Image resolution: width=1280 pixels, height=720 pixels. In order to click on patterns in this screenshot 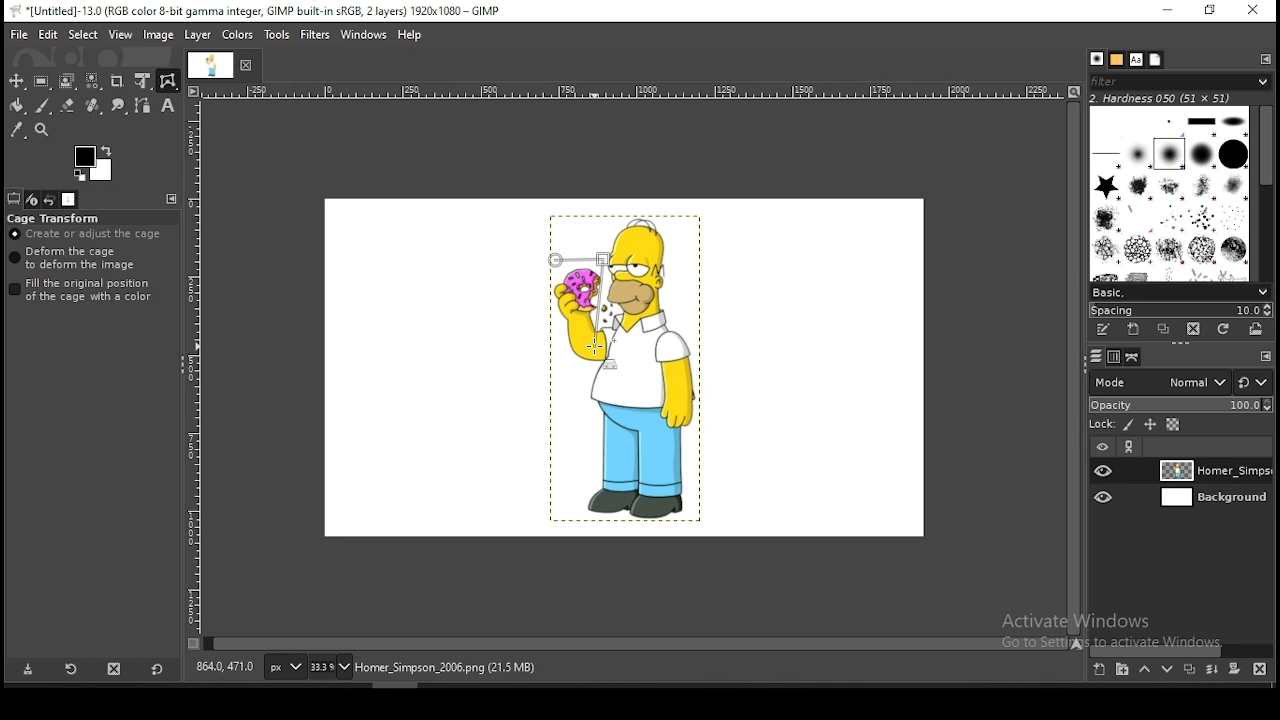, I will do `click(1116, 60)`.